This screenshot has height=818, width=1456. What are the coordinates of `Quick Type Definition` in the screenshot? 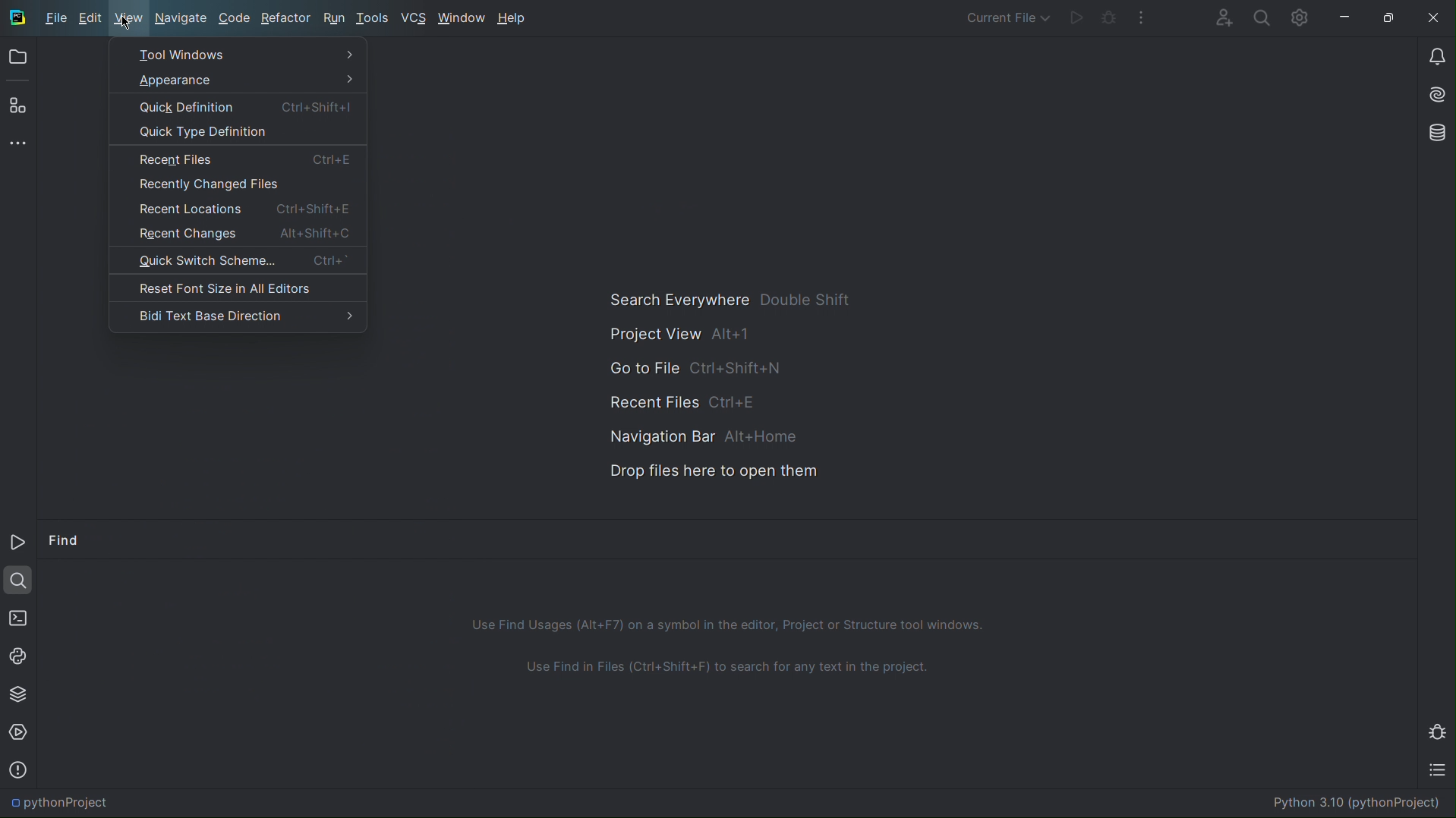 It's located at (236, 134).